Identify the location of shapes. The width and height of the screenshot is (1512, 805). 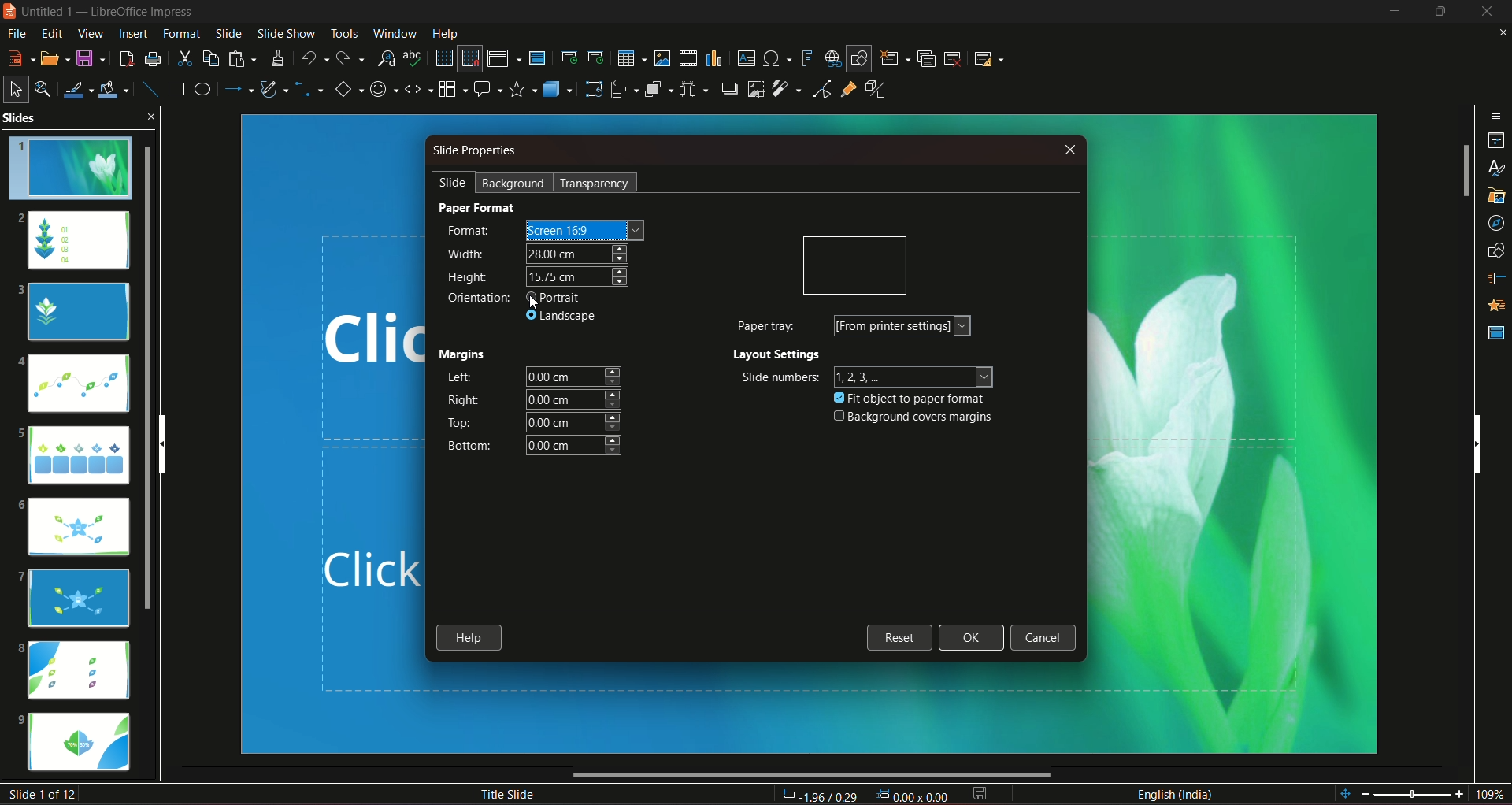
(1494, 251).